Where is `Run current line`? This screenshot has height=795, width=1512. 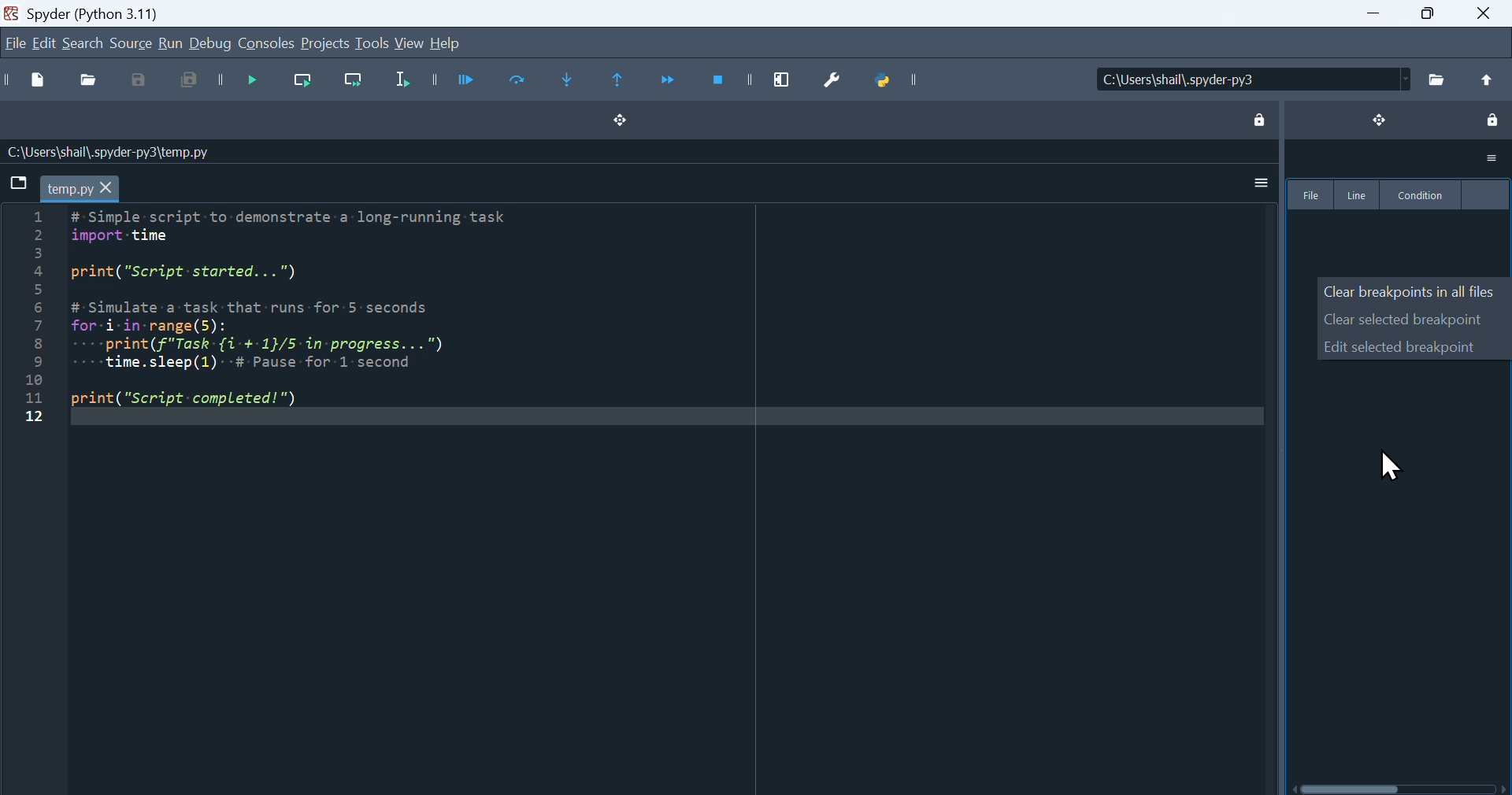
Run current line is located at coordinates (305, 81).